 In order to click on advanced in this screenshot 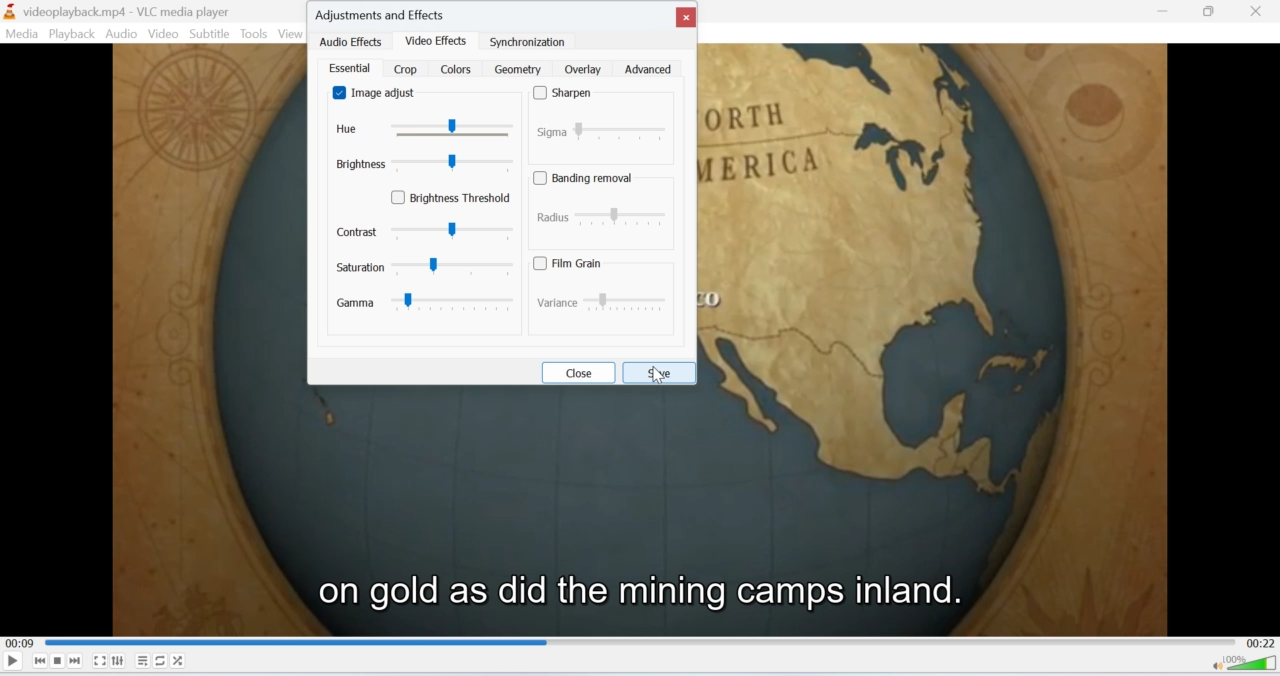, I will do `click(649, 70)`.